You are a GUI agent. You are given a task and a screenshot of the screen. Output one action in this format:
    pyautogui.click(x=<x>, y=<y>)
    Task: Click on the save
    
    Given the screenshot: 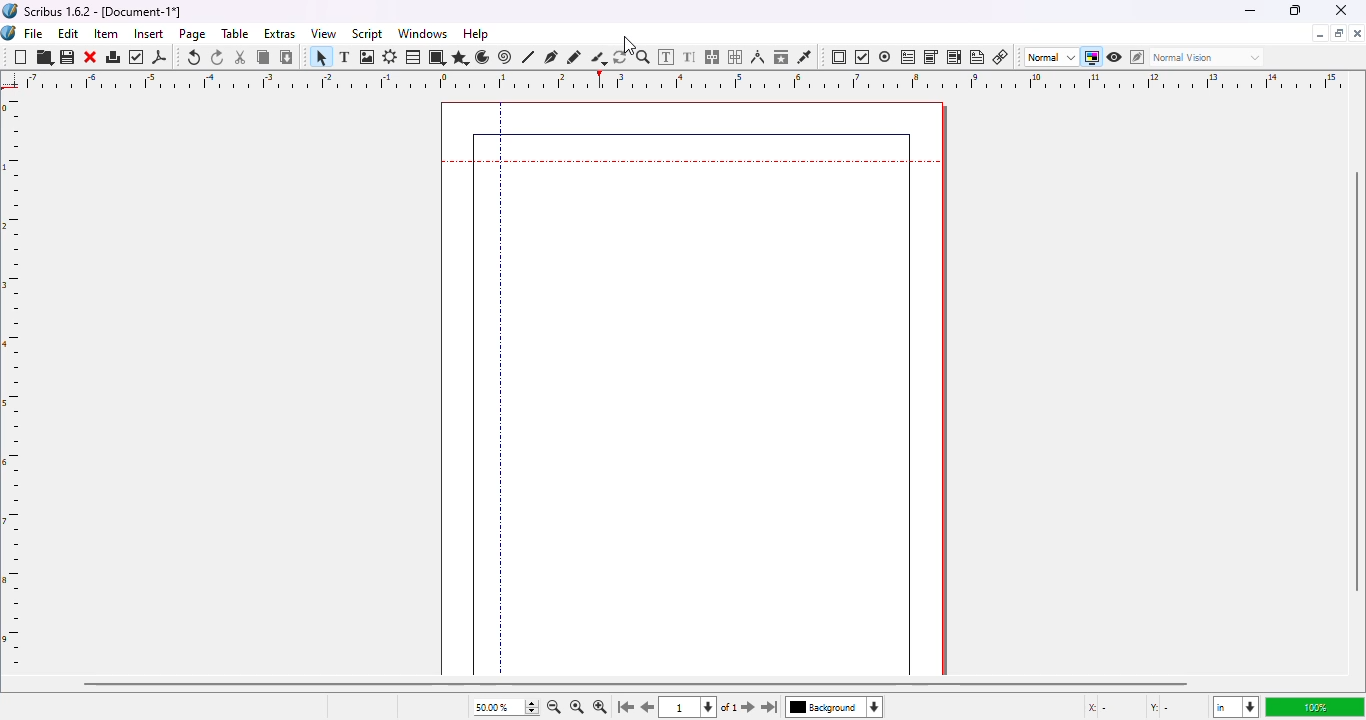 What is the action you would take?
    pyautogui.click(x=68, y=58)
    